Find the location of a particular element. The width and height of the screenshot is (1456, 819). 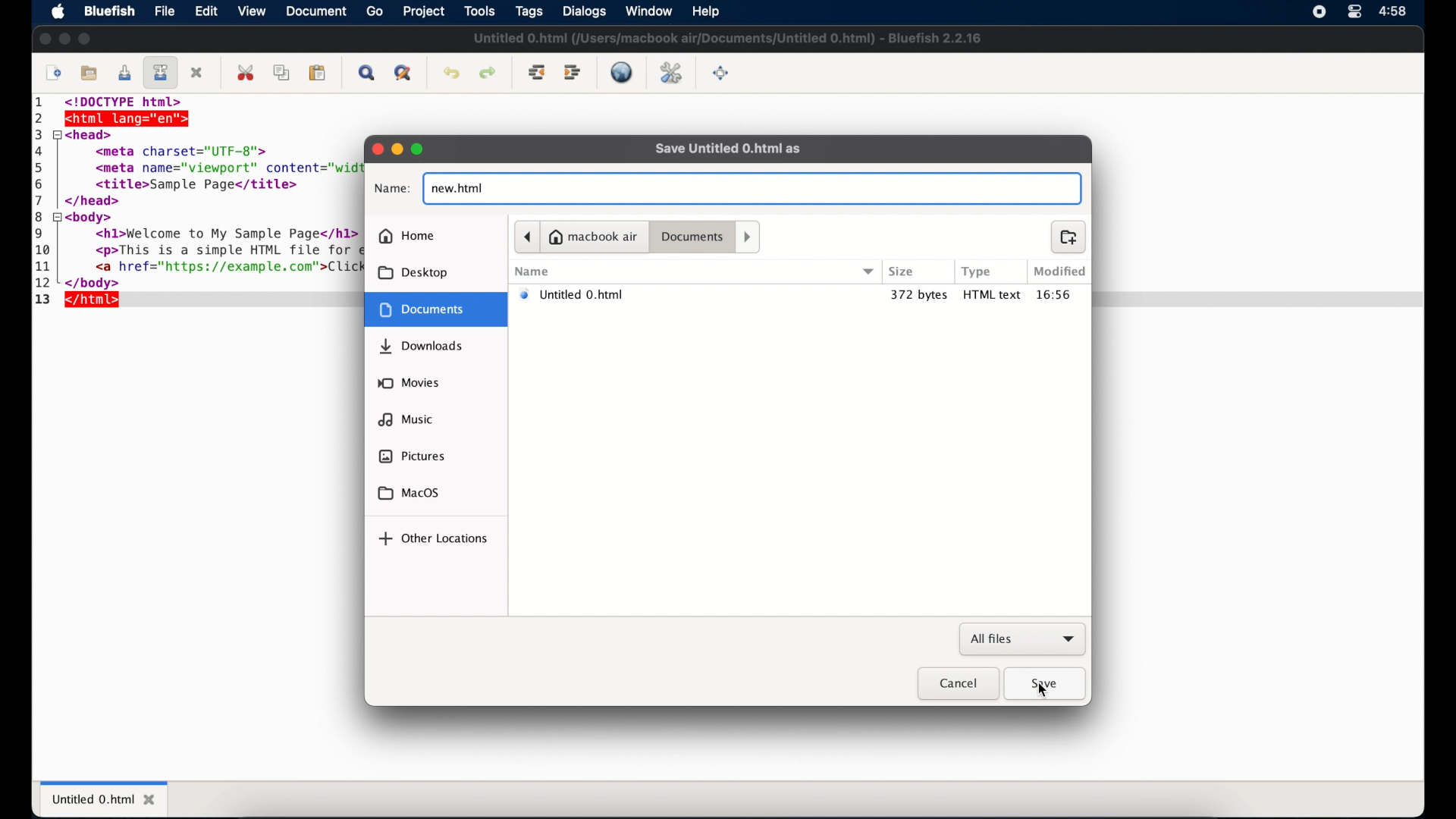

unindent is located at coordinates (538, 72).